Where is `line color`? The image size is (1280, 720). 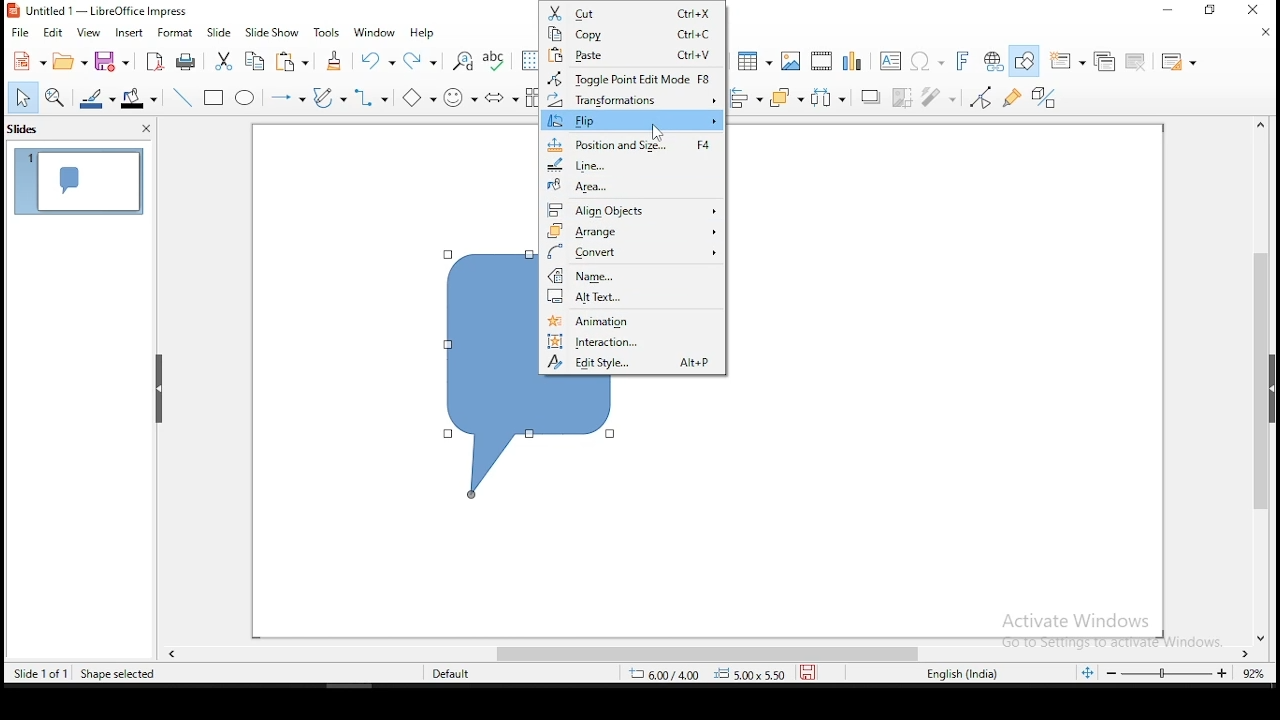
line color is located at coordinates (95, 98).